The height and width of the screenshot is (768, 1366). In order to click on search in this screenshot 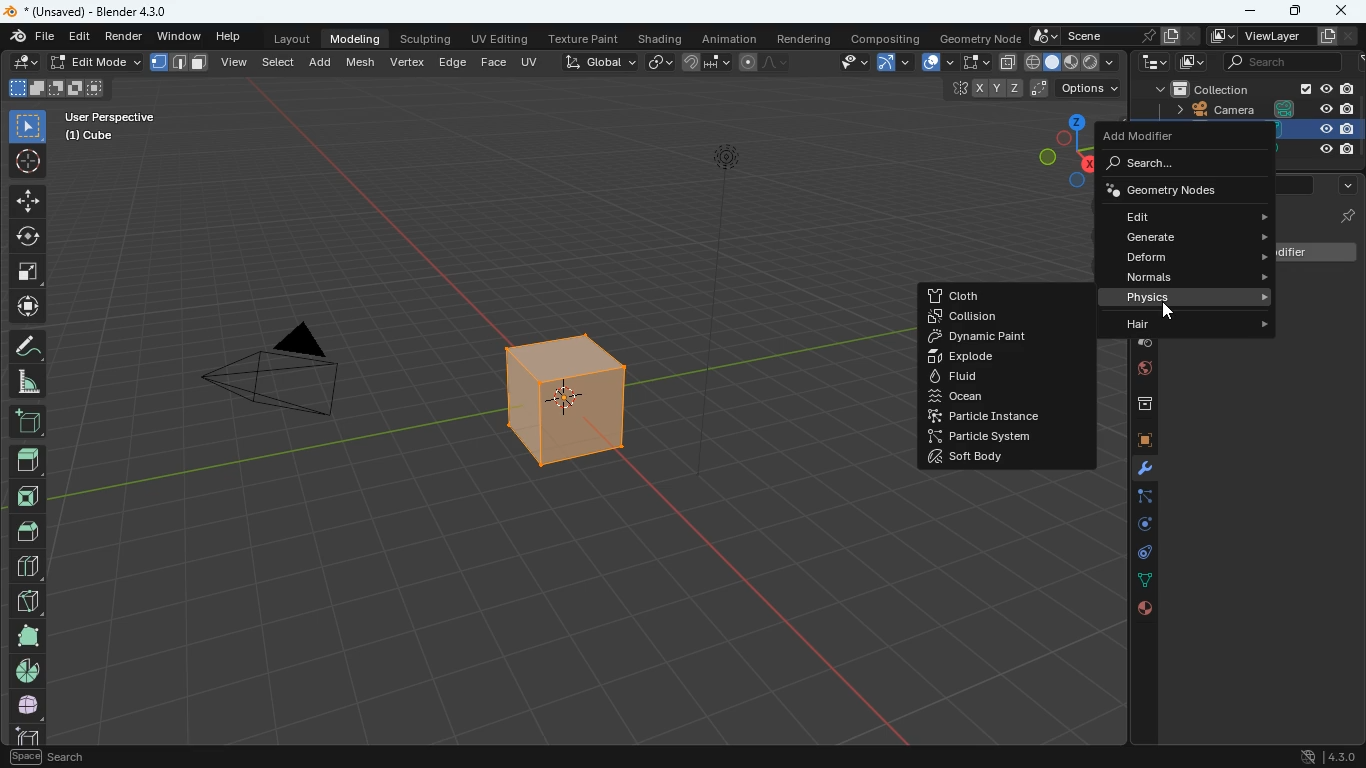, I will do `click(1291, 63)`.